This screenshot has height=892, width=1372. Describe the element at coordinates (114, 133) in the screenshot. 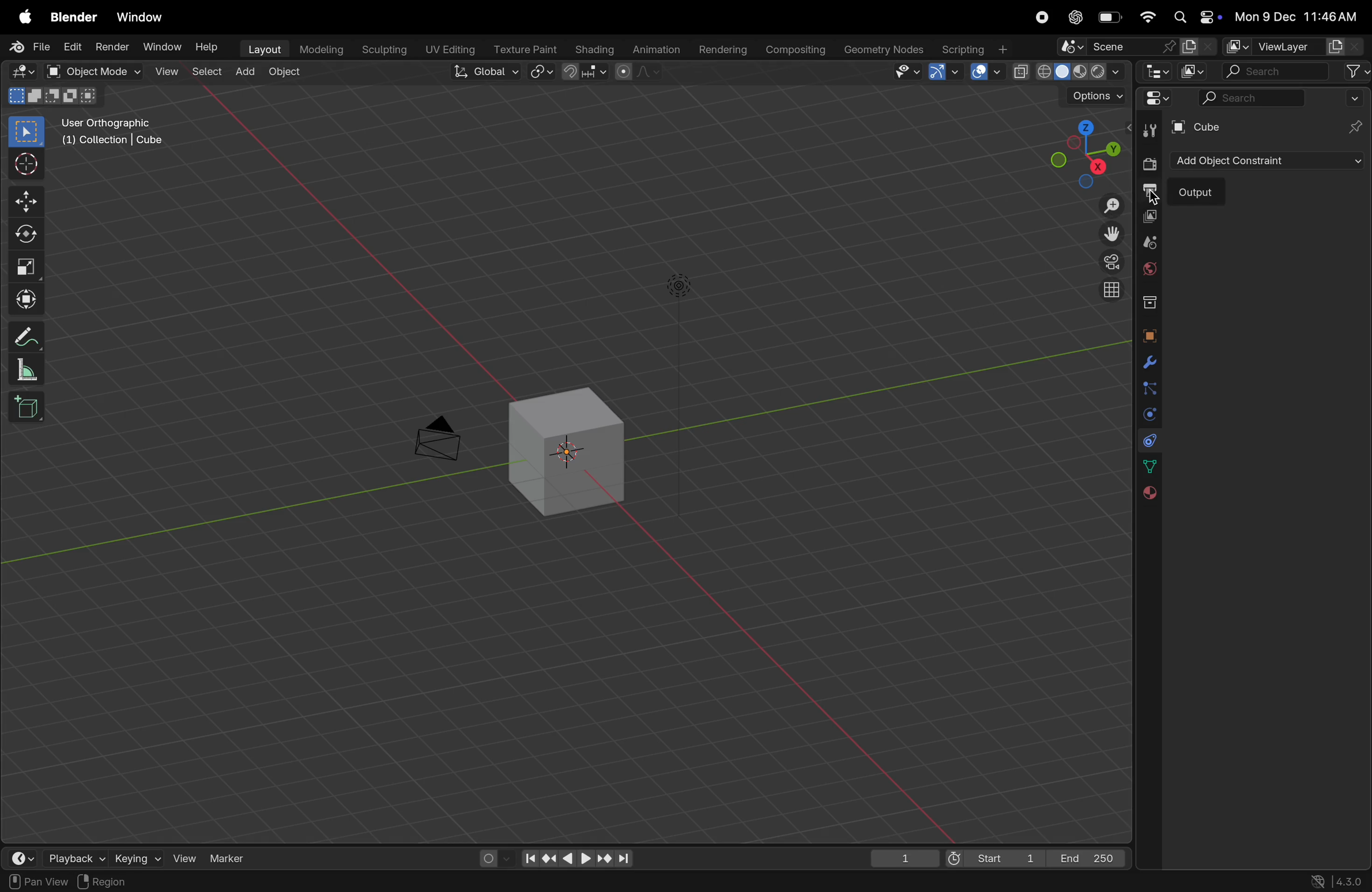

I see `user orthographic` at that location.